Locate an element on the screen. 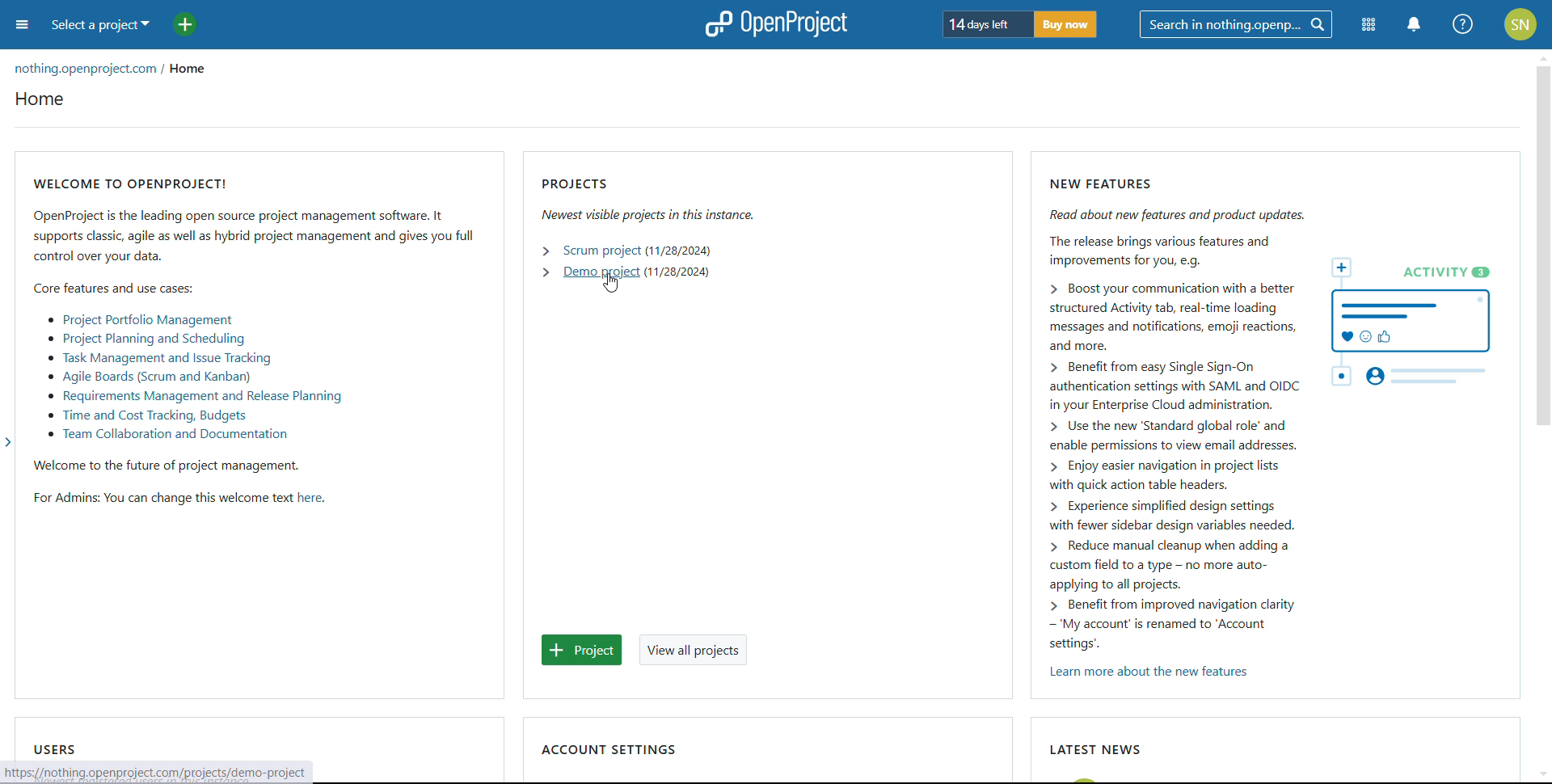 This screenshot has width=1552, height=784. modules is located at coordinates (1366, 26).